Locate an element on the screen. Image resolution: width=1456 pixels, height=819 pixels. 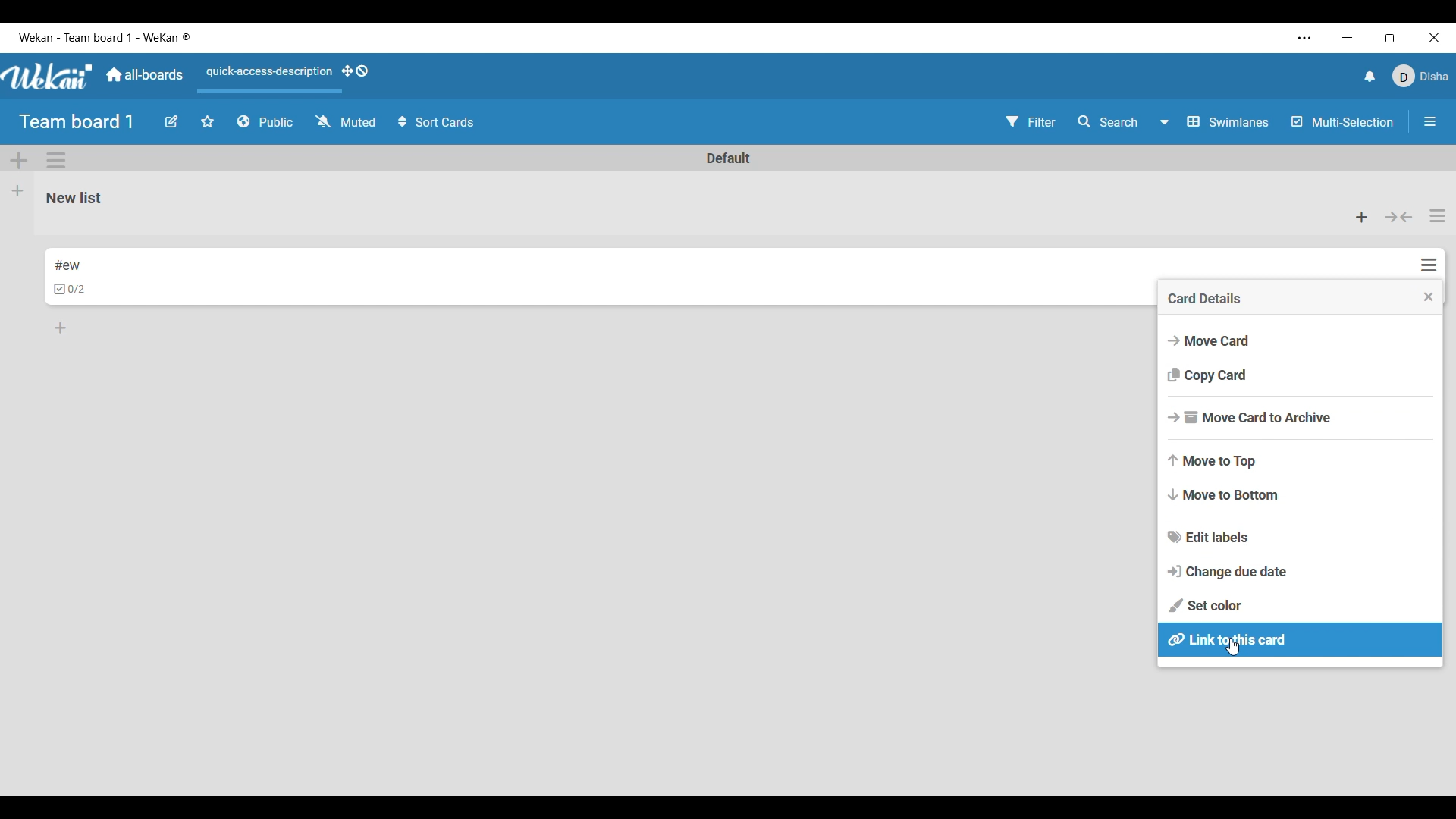
Set color is located at coordinates (1300, 606).